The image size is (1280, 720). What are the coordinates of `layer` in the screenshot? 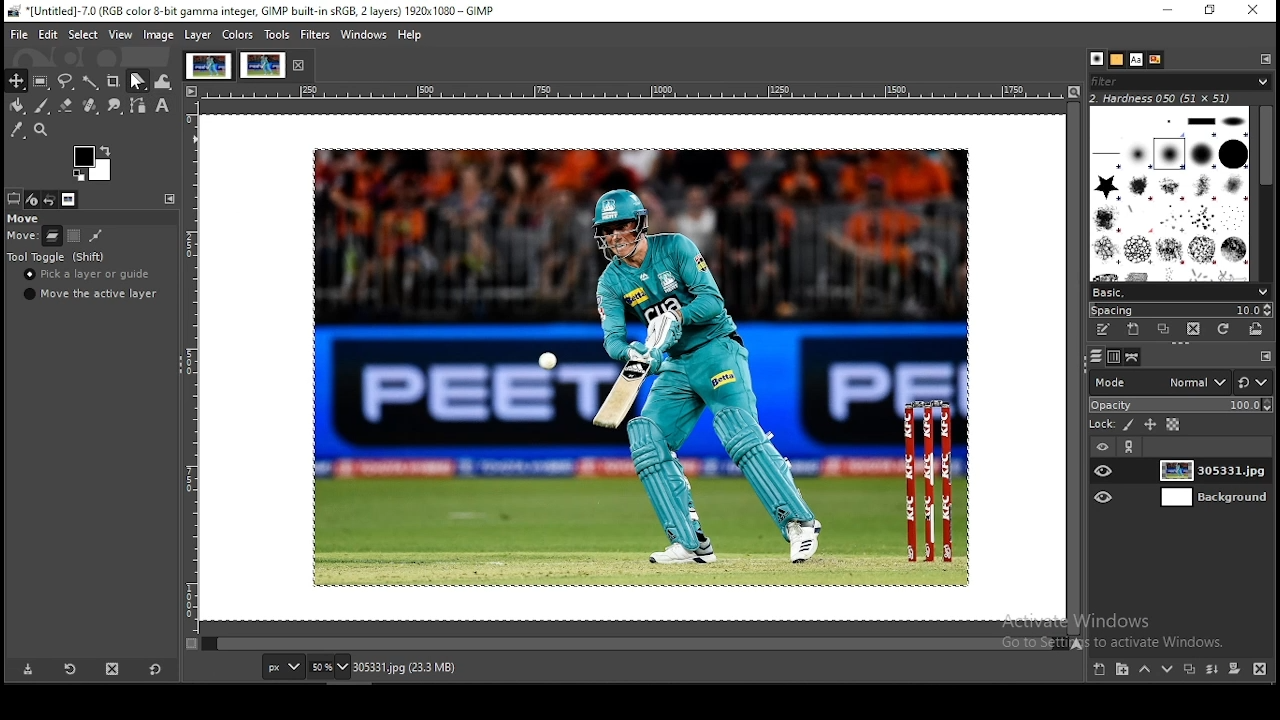 It's located at (52, 236).